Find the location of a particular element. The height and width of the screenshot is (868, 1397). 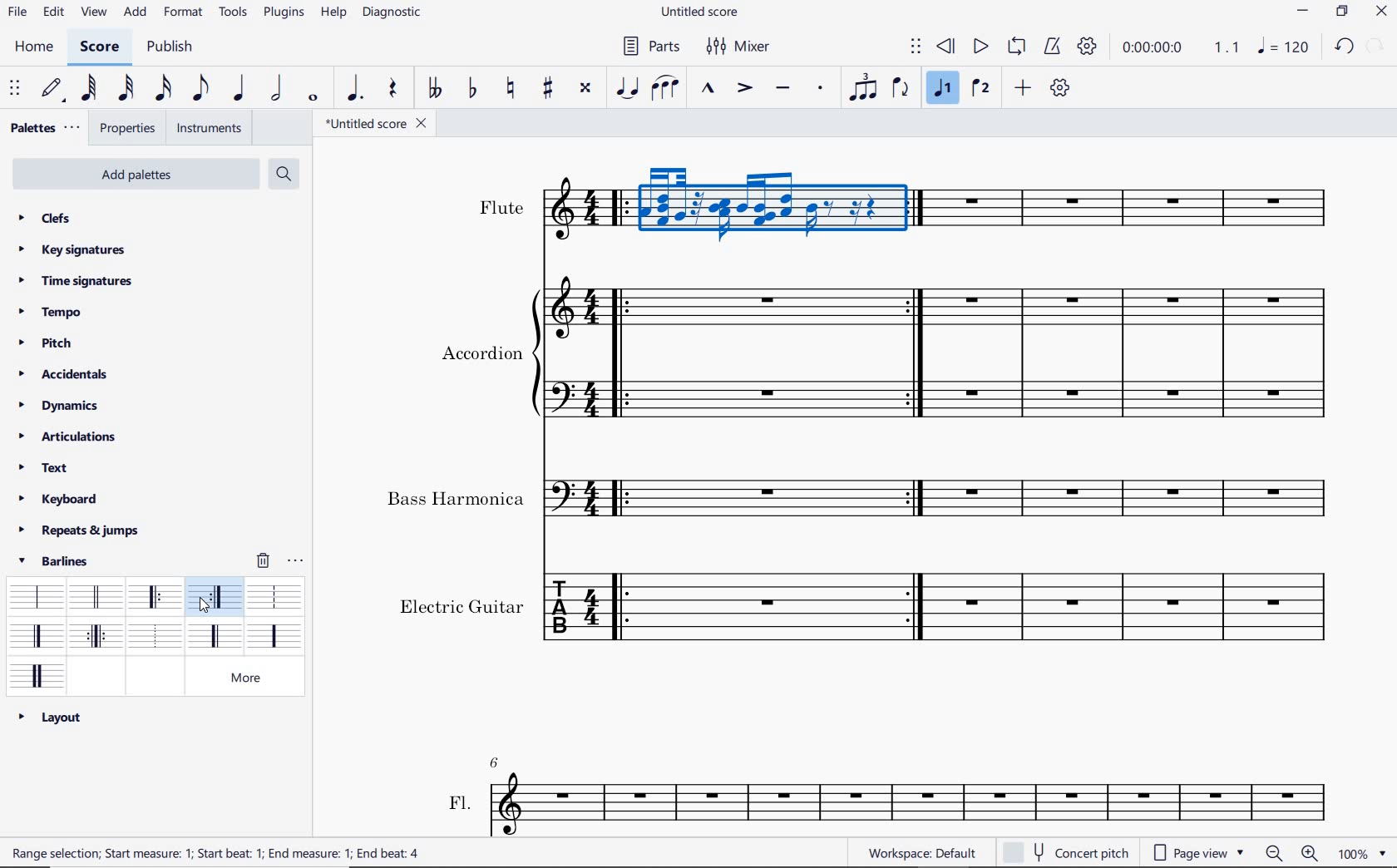

CLOSE is located at coordinates (1382, 11).